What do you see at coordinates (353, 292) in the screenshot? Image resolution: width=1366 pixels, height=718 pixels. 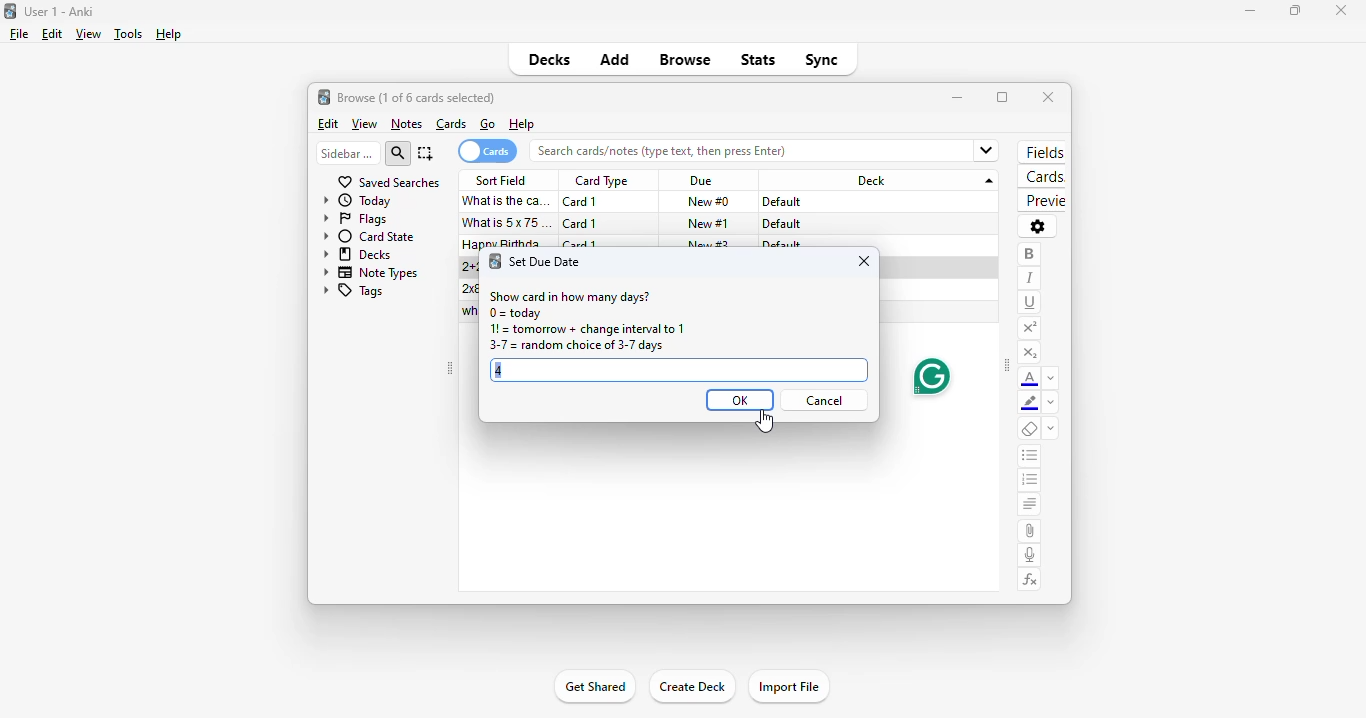 I see `tags` at bounding box center [353, 292].